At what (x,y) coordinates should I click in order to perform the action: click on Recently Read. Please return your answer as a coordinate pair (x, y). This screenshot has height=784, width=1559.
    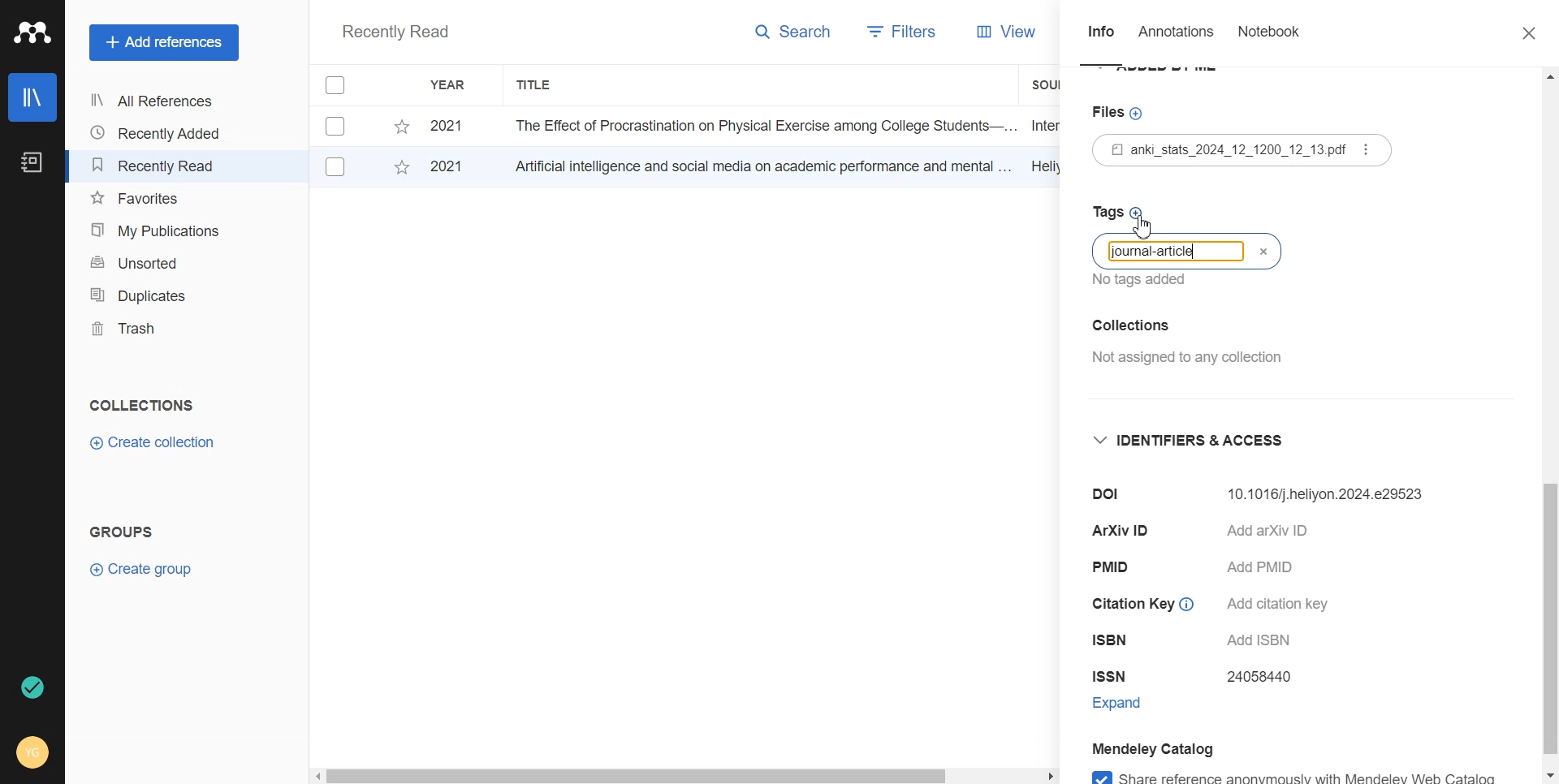
    Looking at the image, I should click on (395, 33).